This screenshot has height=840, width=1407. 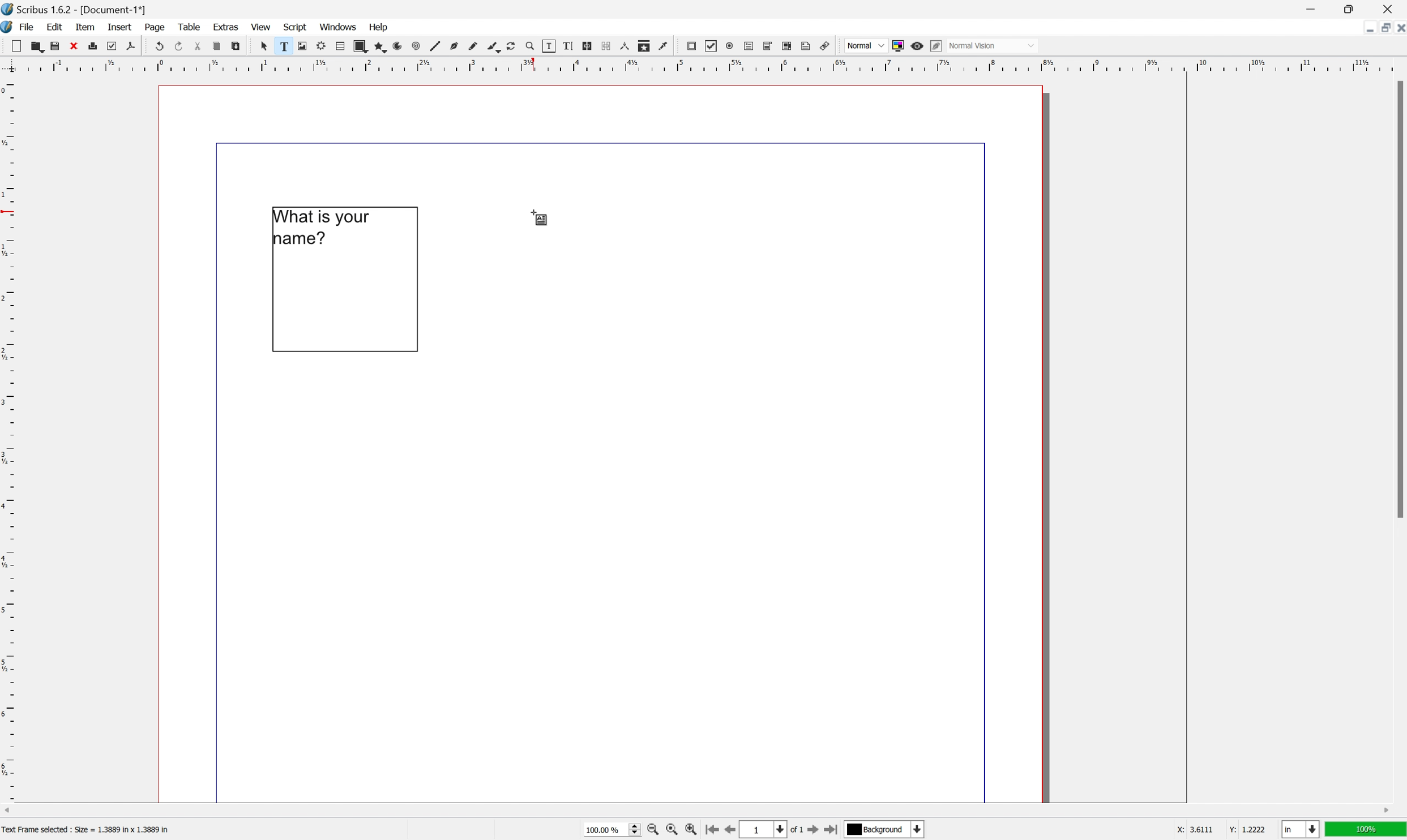 I want to click on scroll bar, so click(x=696, y=811).